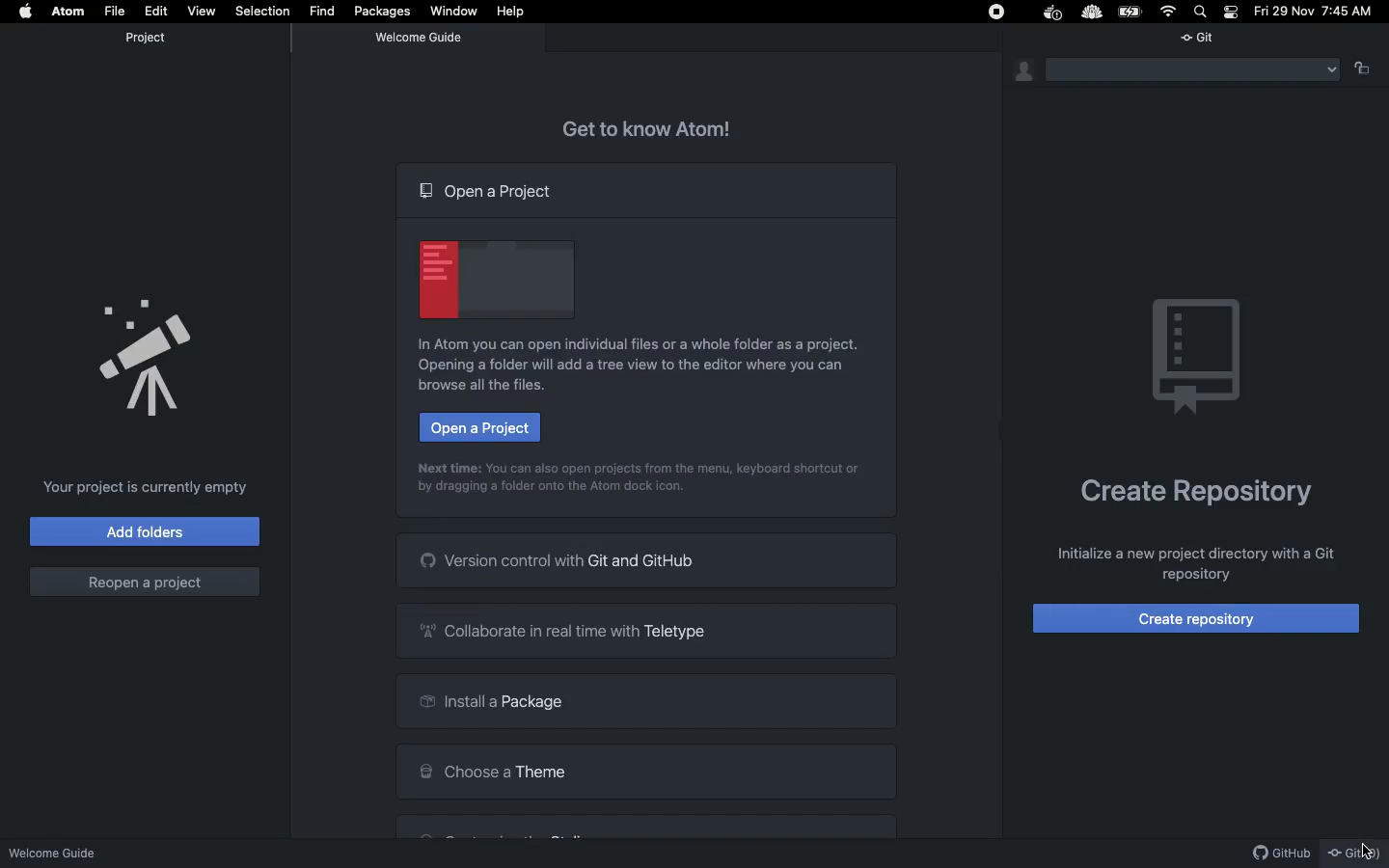  I want to click on Emblem, so click(1203, 358).